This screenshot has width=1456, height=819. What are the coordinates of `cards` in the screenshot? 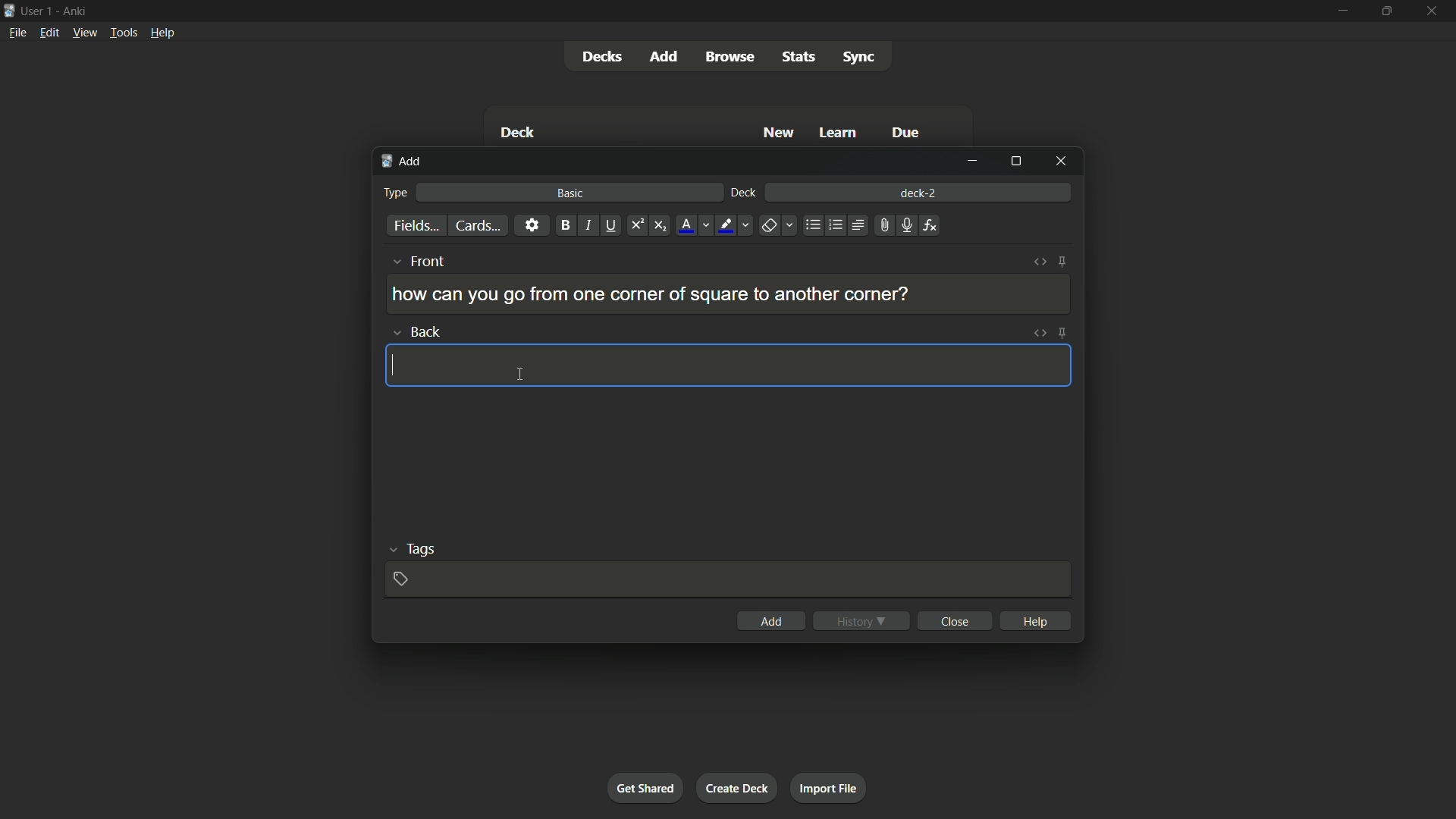 It's located at (479, 225).